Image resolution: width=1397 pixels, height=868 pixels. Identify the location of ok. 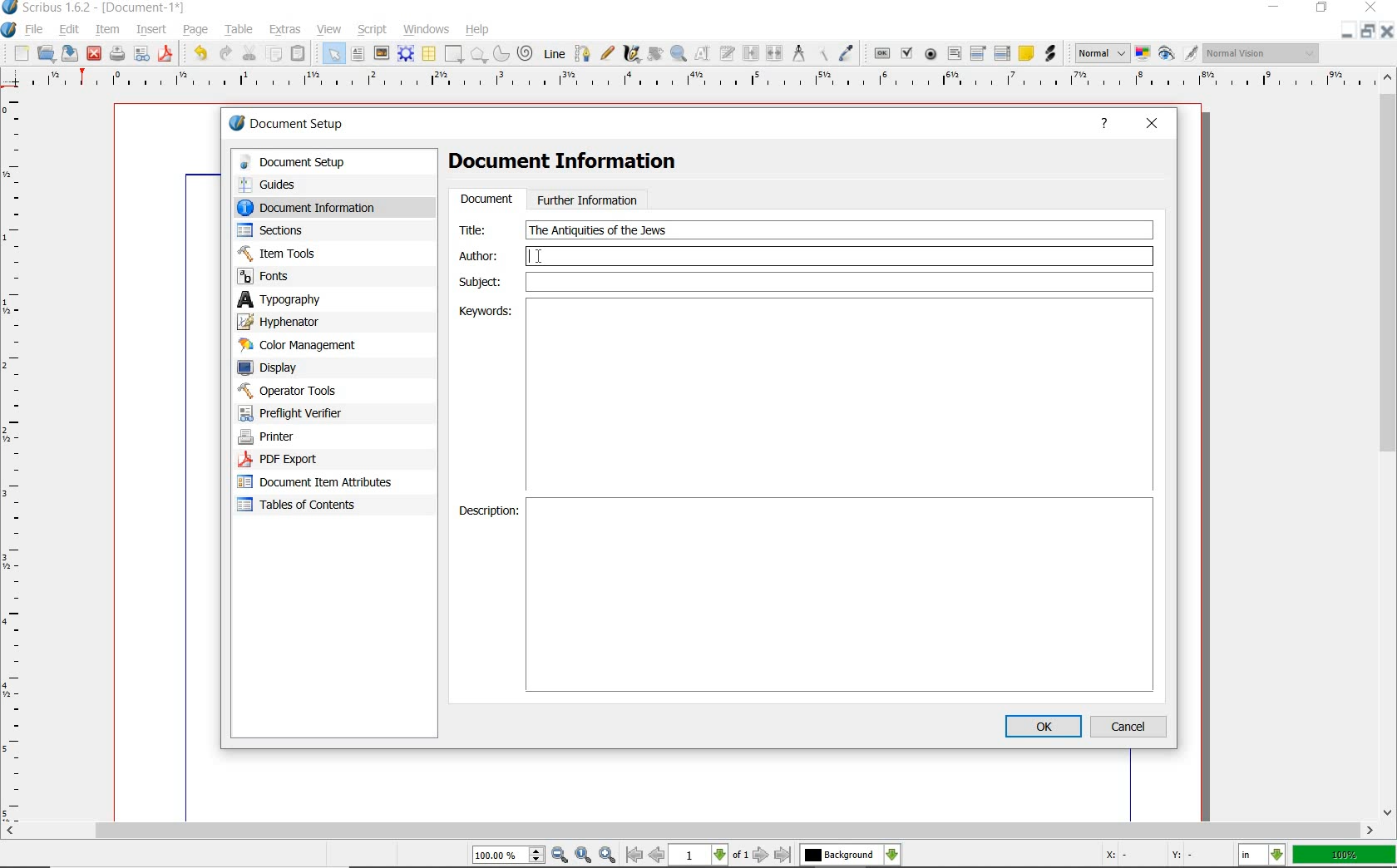
(1043, 726).